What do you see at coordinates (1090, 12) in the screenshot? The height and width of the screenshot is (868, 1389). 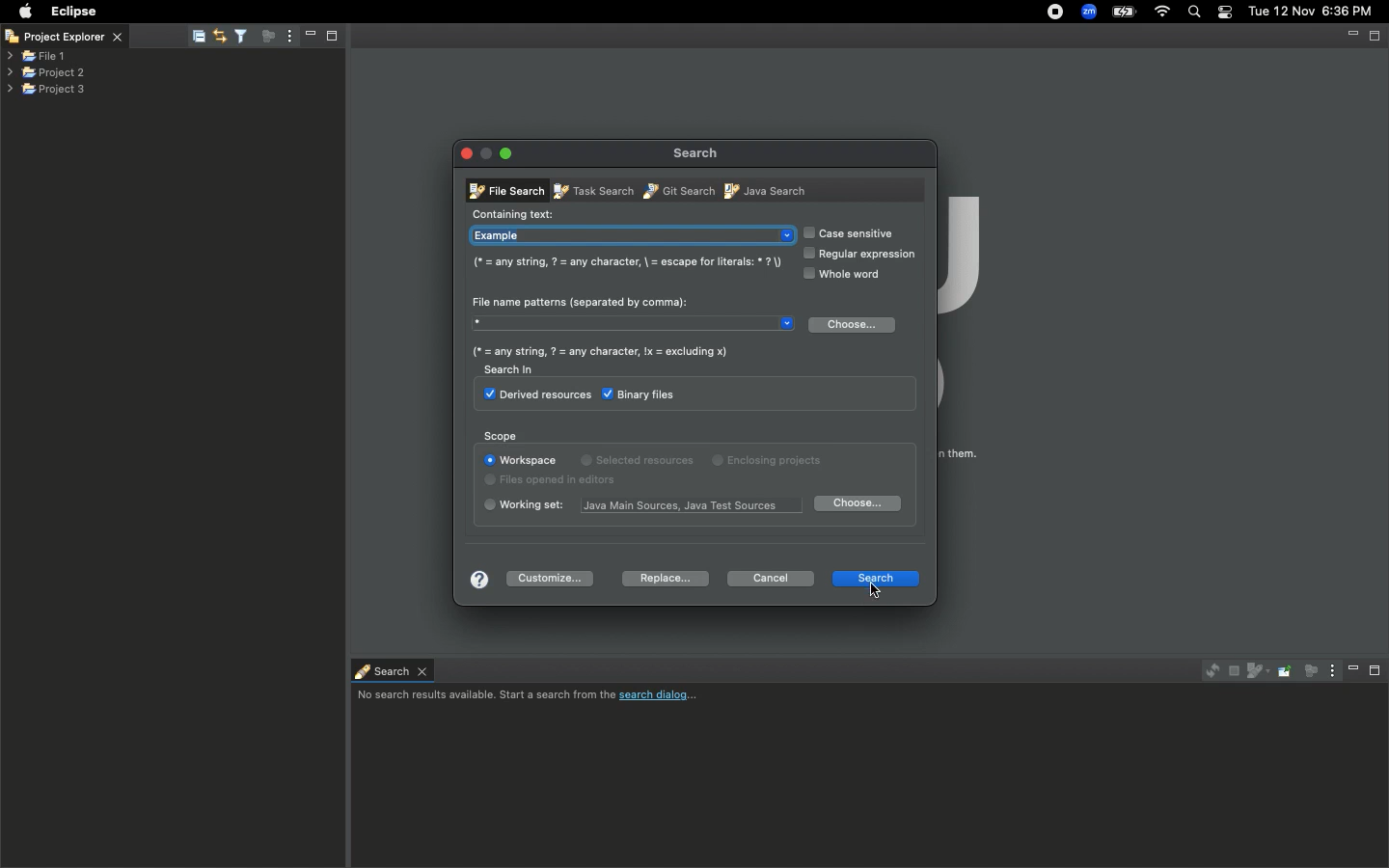 I see `Zoom` at bounding box center [1090, 12].